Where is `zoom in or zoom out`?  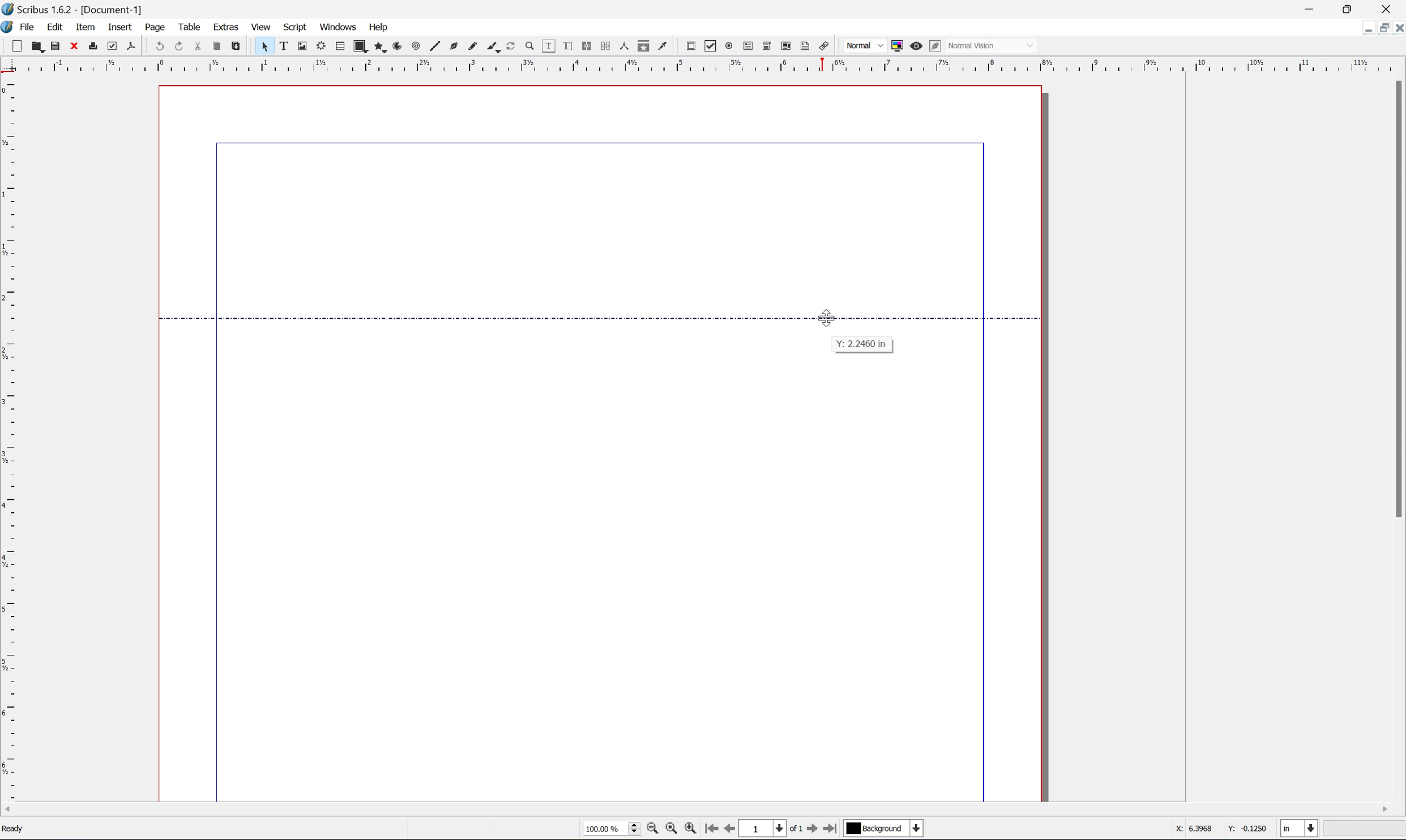
zoom in or zoom out is located at coordinates (530, 47).